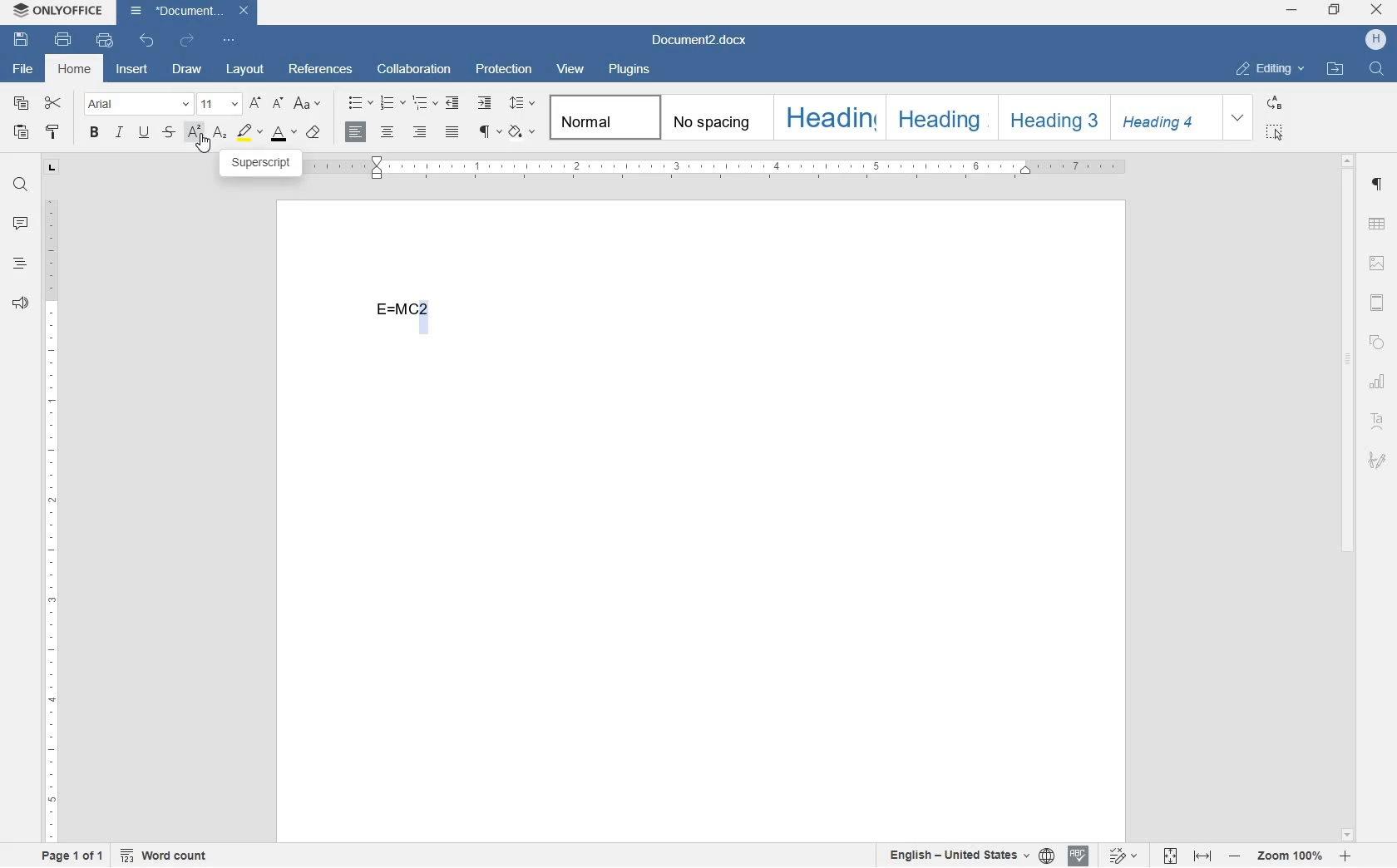 The image size is (1397, 868). I want to click on copy, so click(22, 105).